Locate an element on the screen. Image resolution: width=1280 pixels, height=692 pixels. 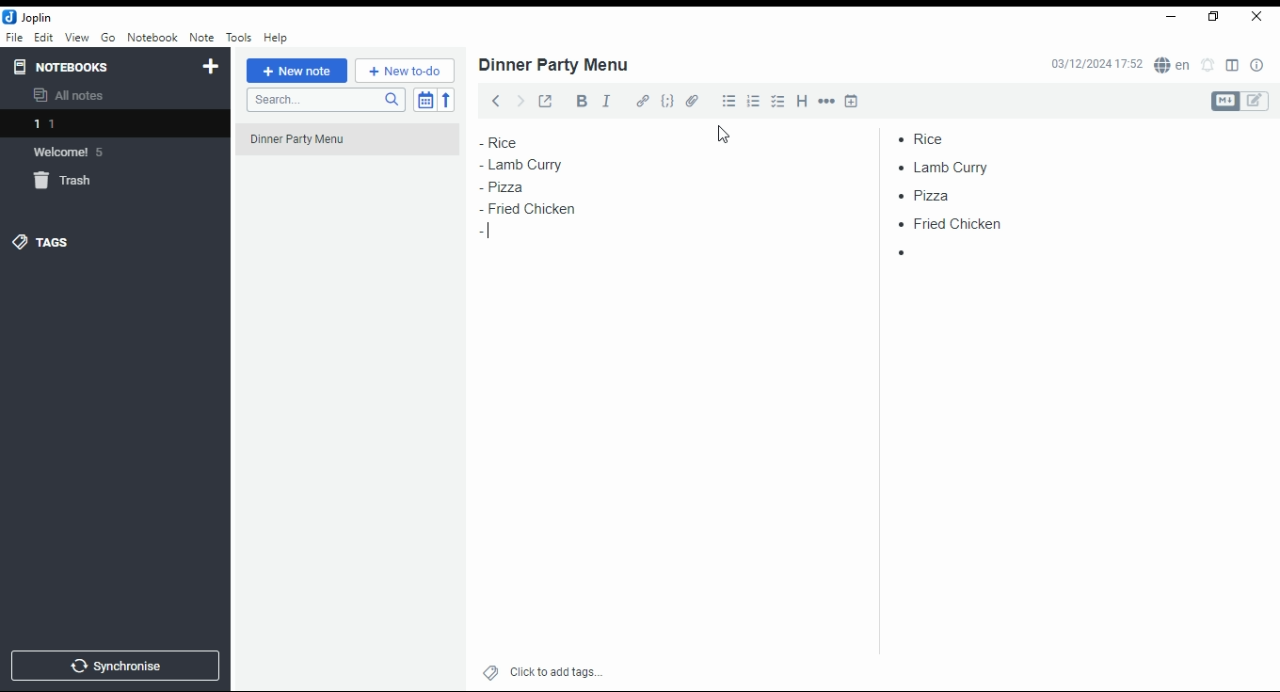
click to add tags is located at coordinates (554, 671).